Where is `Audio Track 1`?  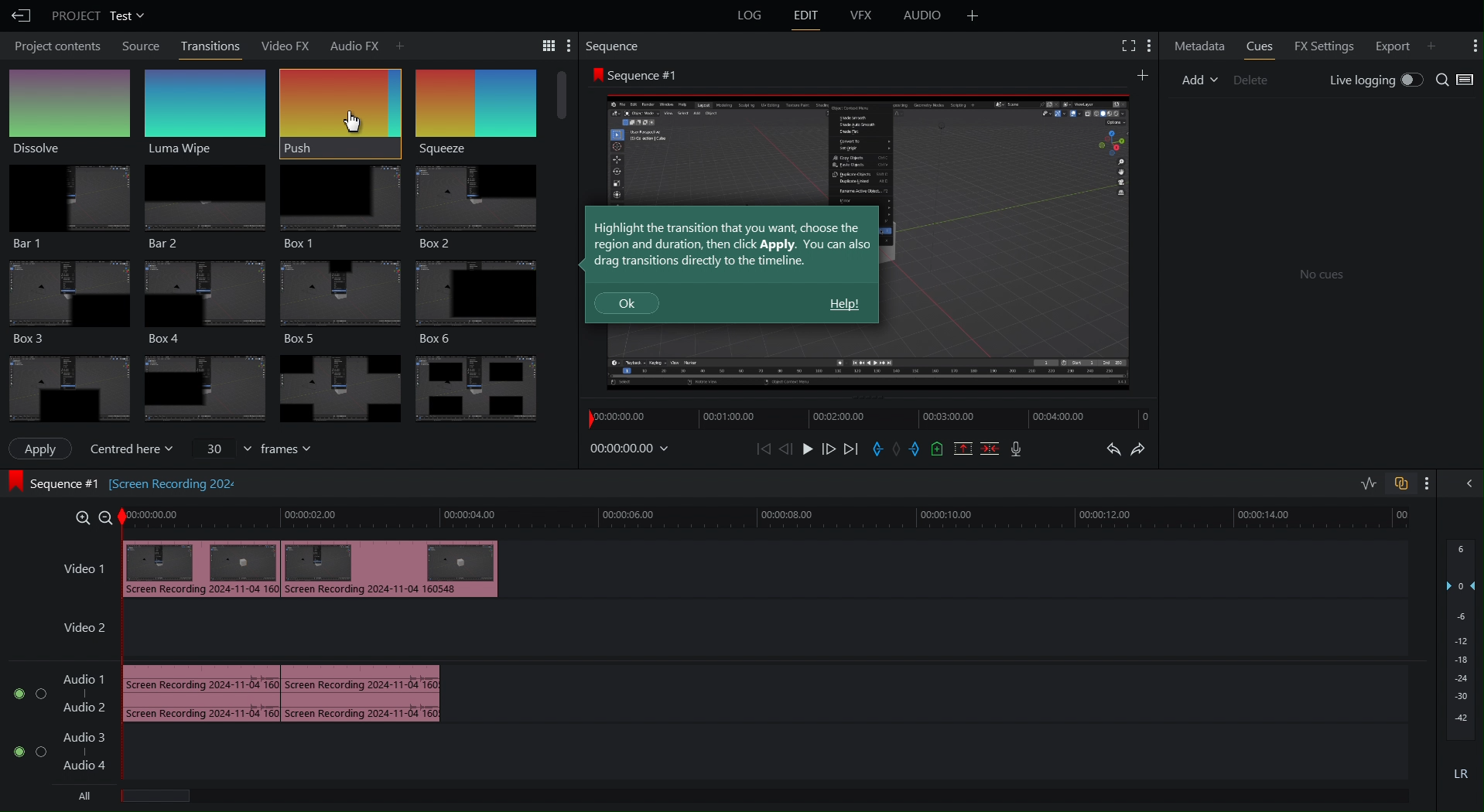 Audio Track 1 is located at coordinates (84, 676).